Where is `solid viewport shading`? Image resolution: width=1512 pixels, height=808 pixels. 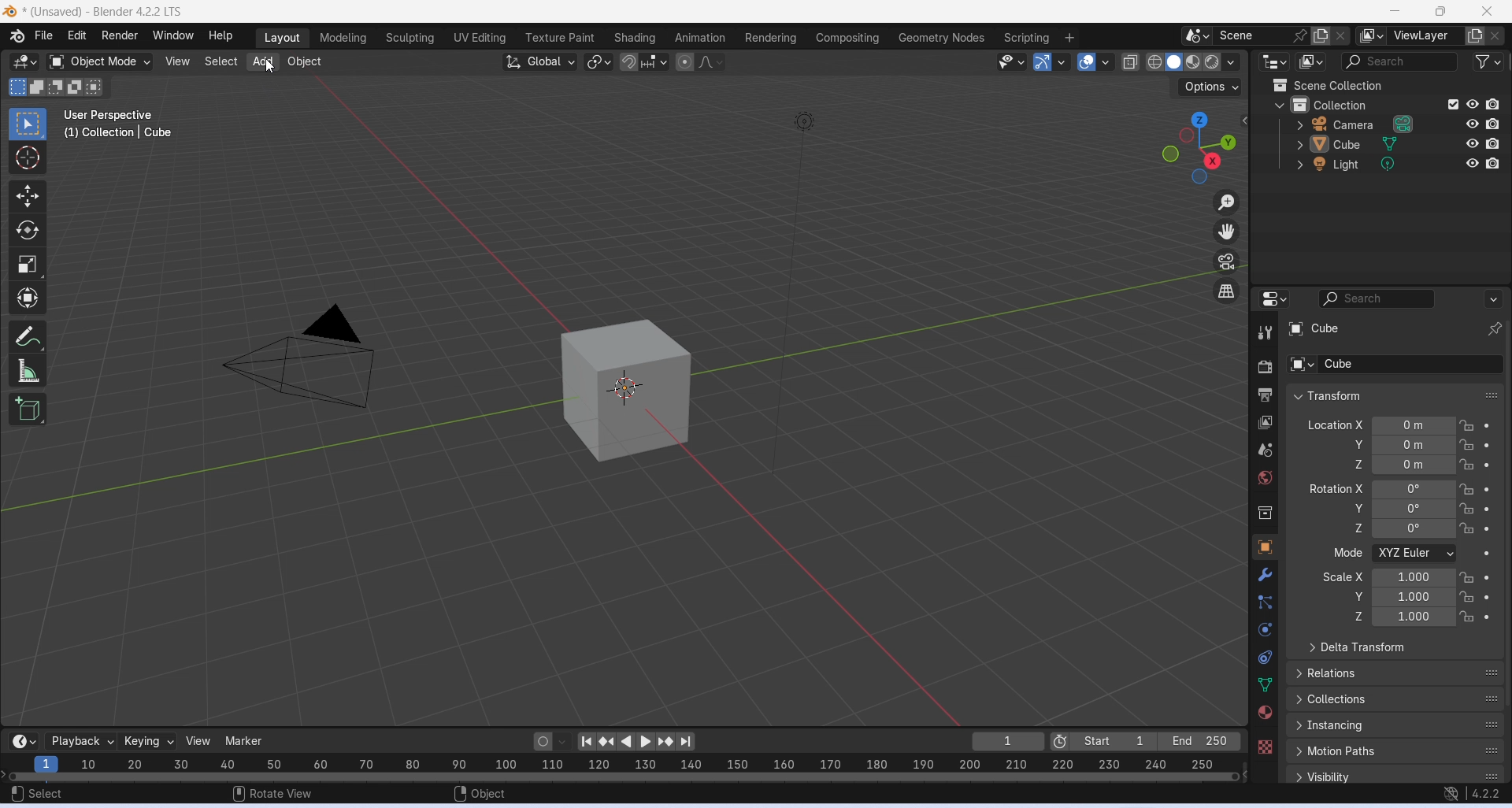 solid viewport shading is located at coordinates (1173, 62).